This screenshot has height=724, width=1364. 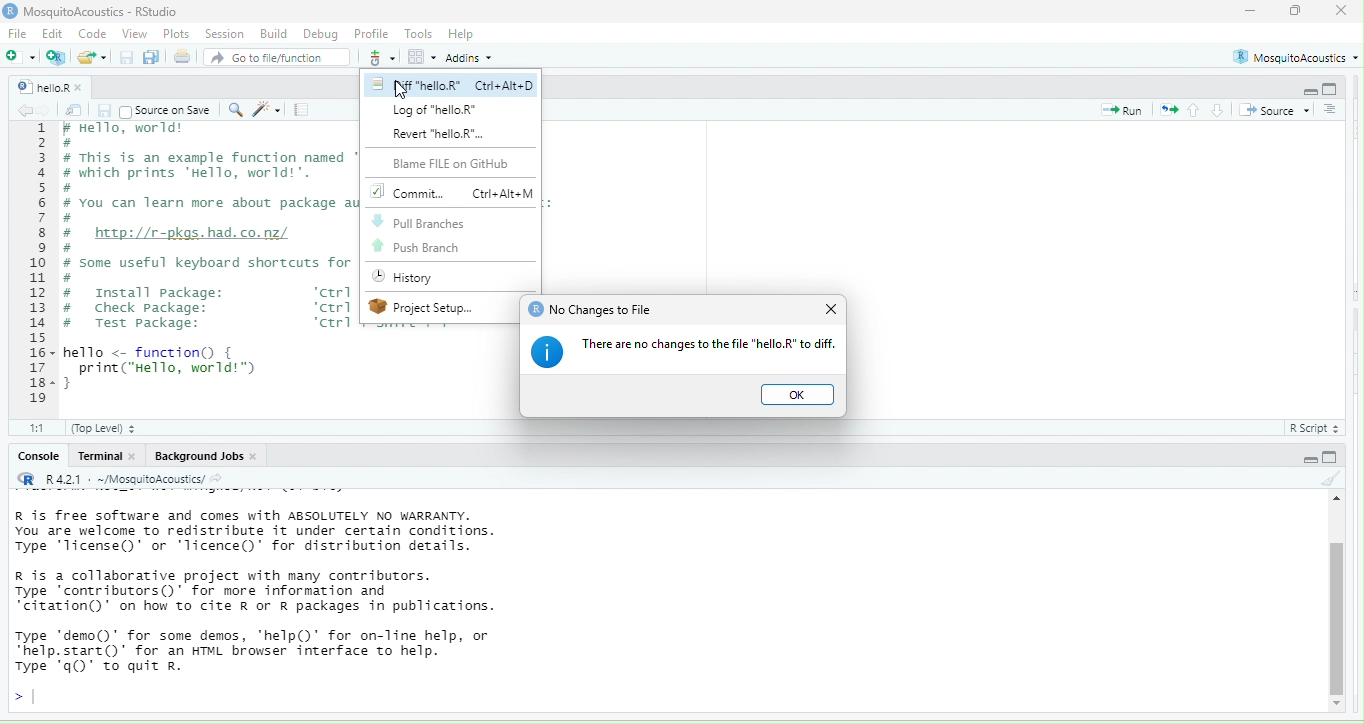 I want to click on scroll down, so click(x=1338, y=703).